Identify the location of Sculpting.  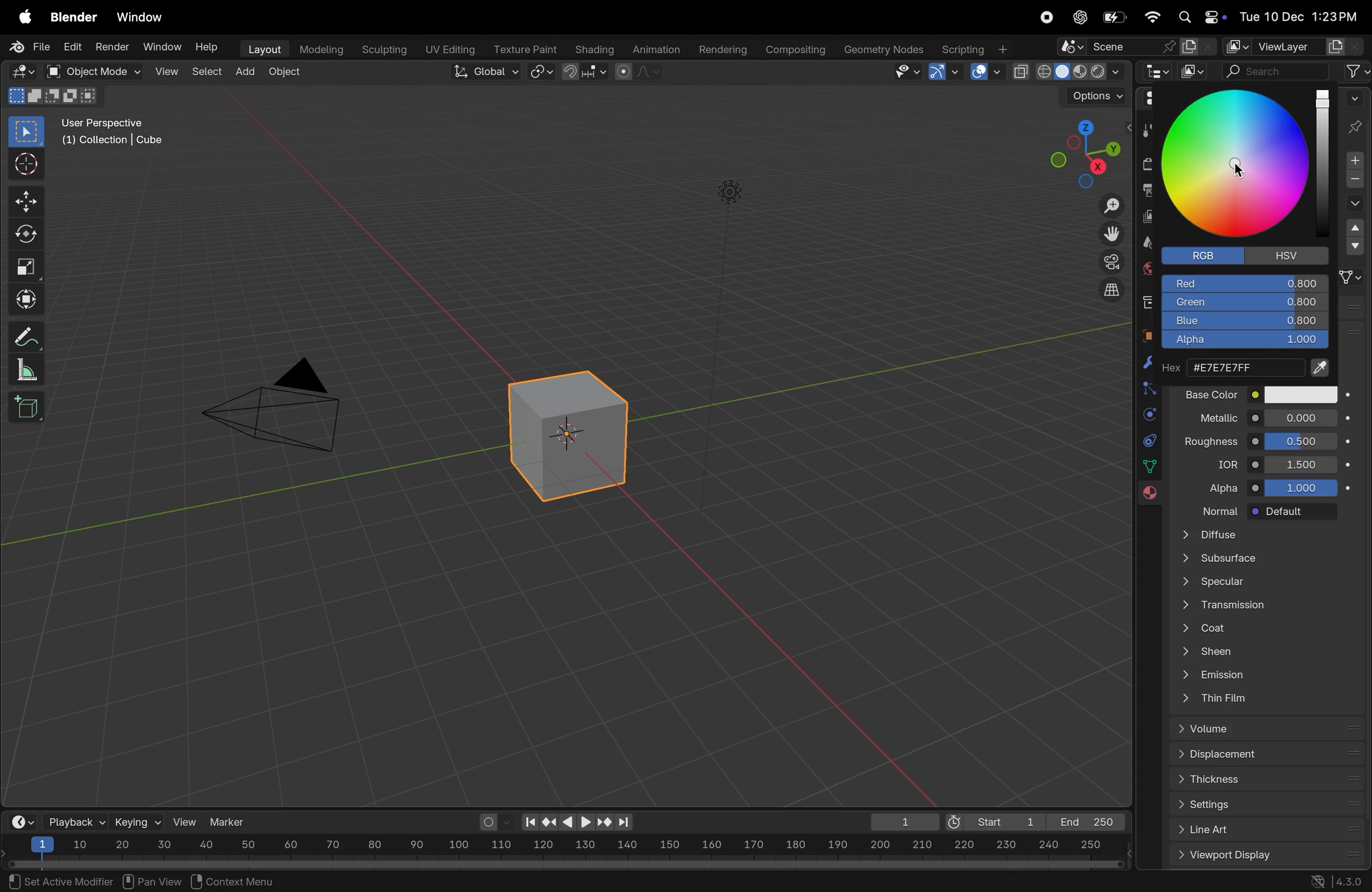
(379, 47).